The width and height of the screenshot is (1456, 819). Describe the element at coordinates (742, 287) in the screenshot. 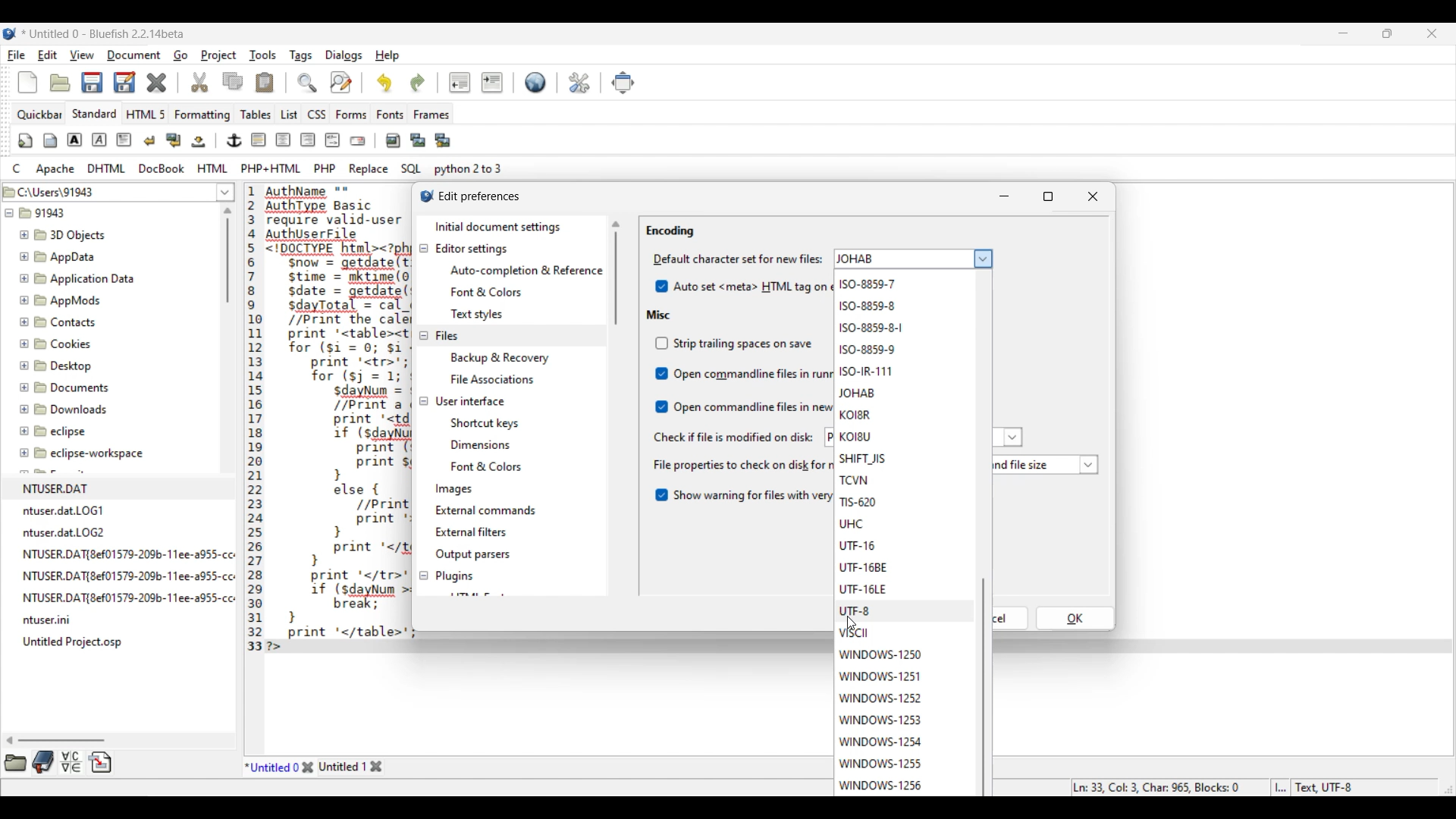

I see `Auto set HTML tag on encoding change` at that location.